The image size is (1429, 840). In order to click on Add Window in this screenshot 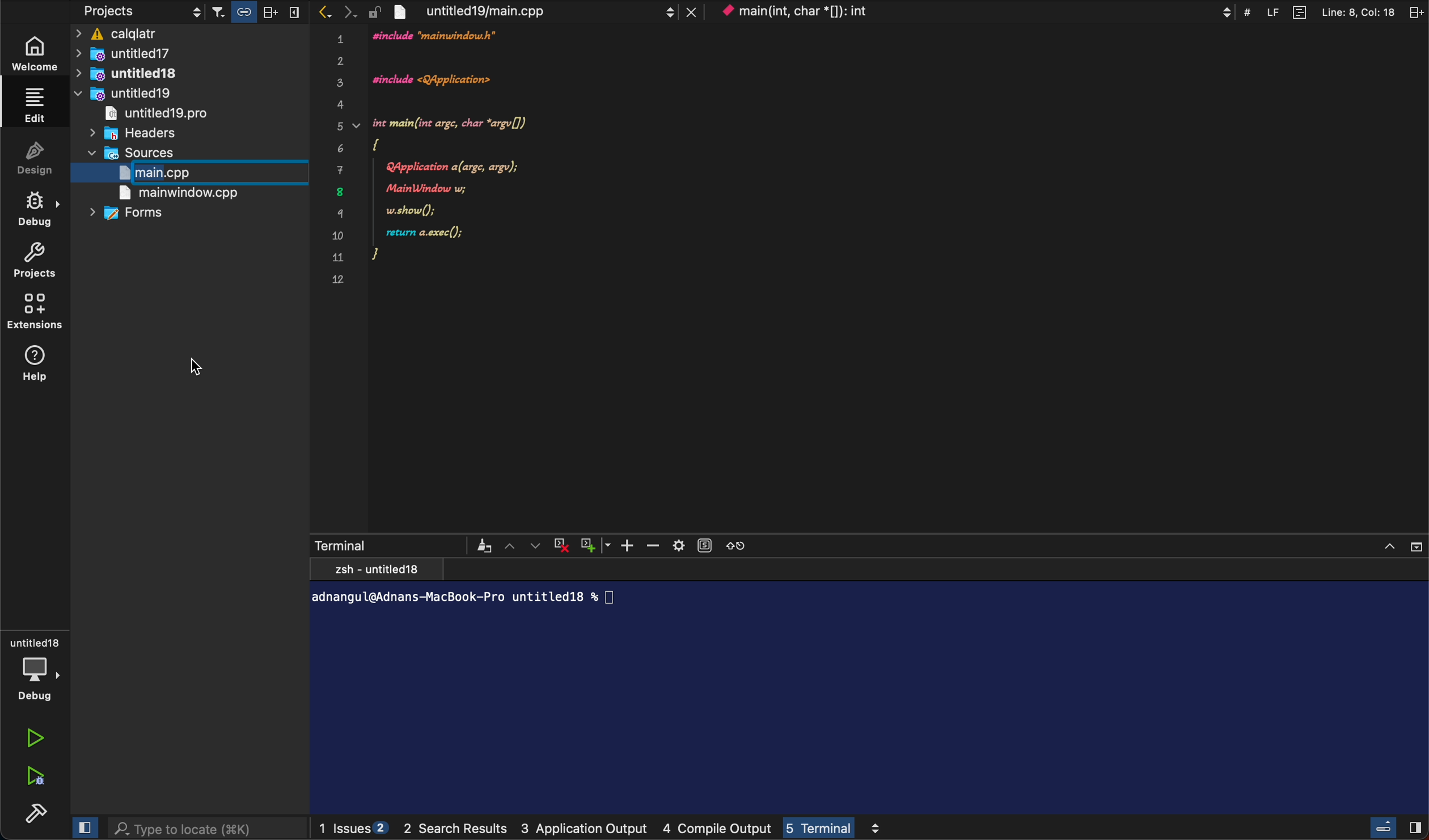, I will do `click(596, 544)`.